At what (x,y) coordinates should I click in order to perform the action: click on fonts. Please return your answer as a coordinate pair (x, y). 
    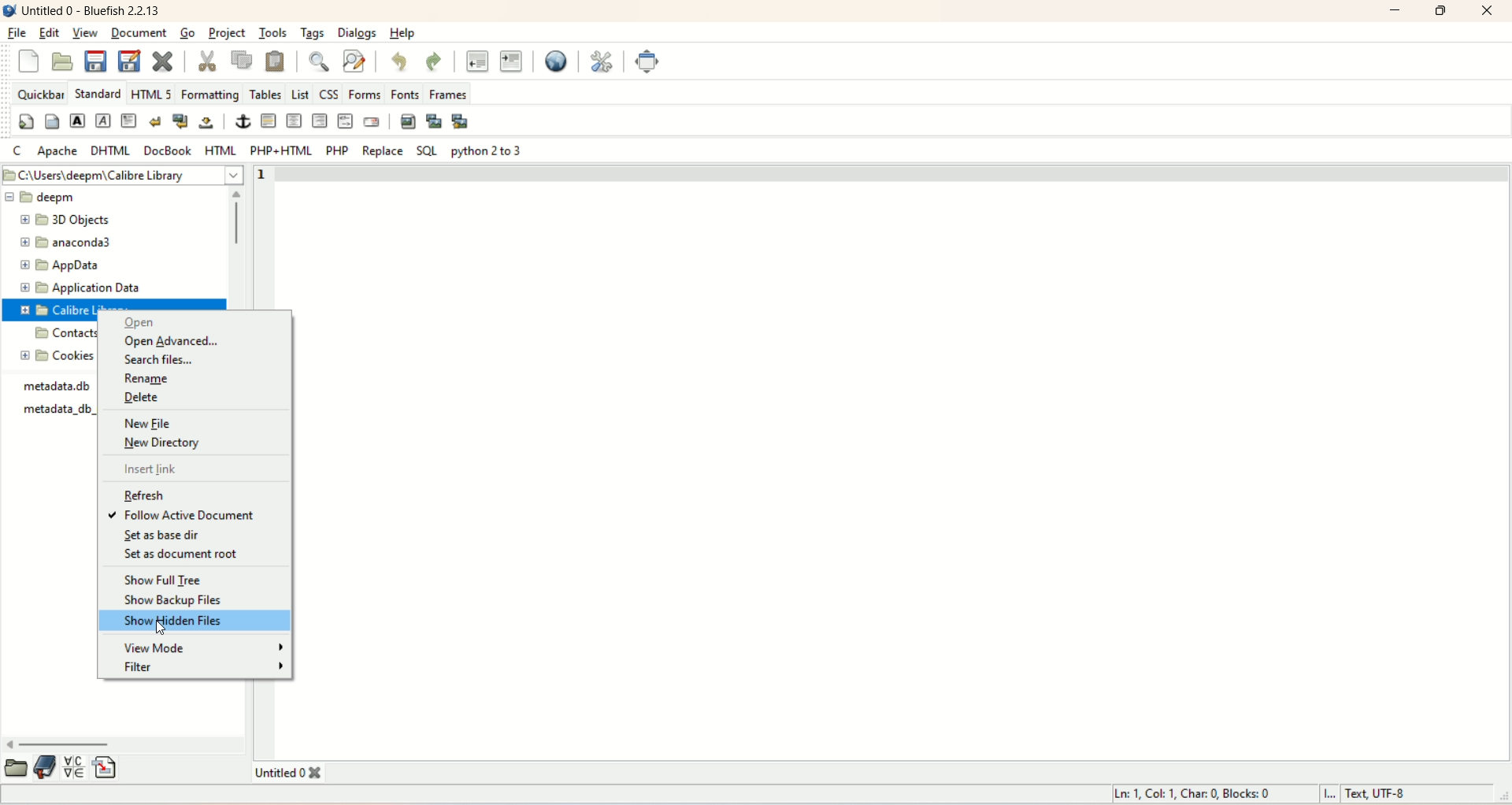
    Looking at the image, I should click on (408, 94).